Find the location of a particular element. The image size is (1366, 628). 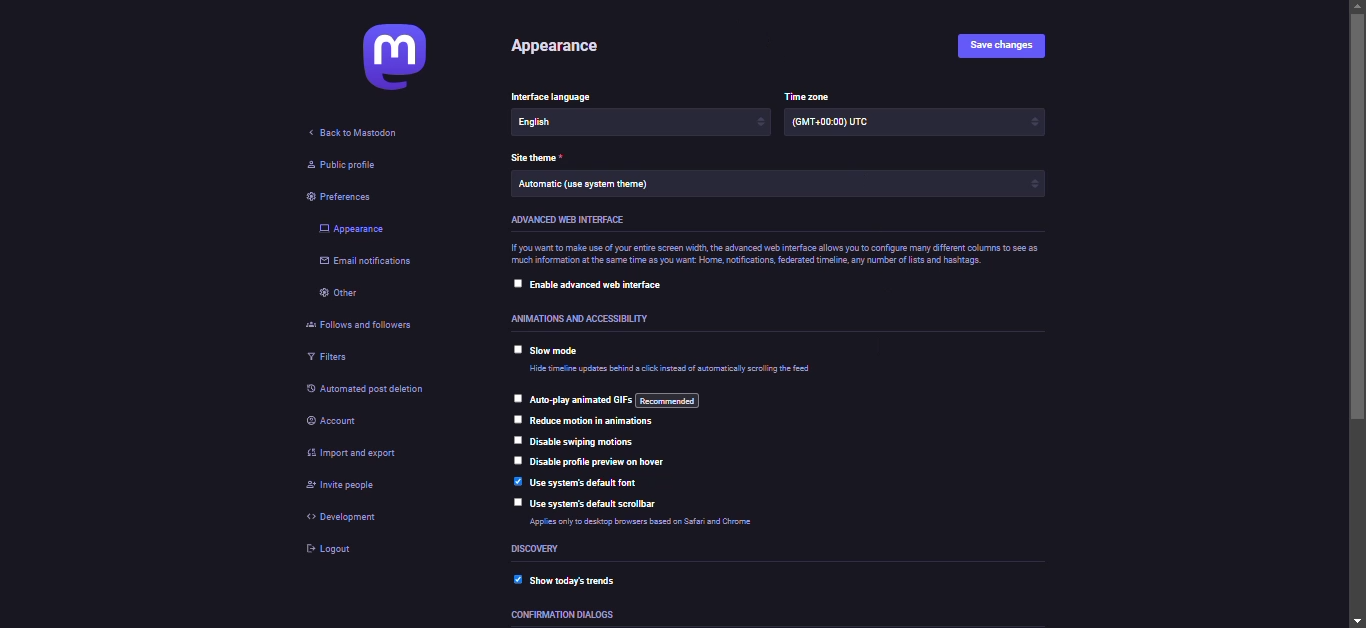

follows and followers is located at coordinates (368, 326).